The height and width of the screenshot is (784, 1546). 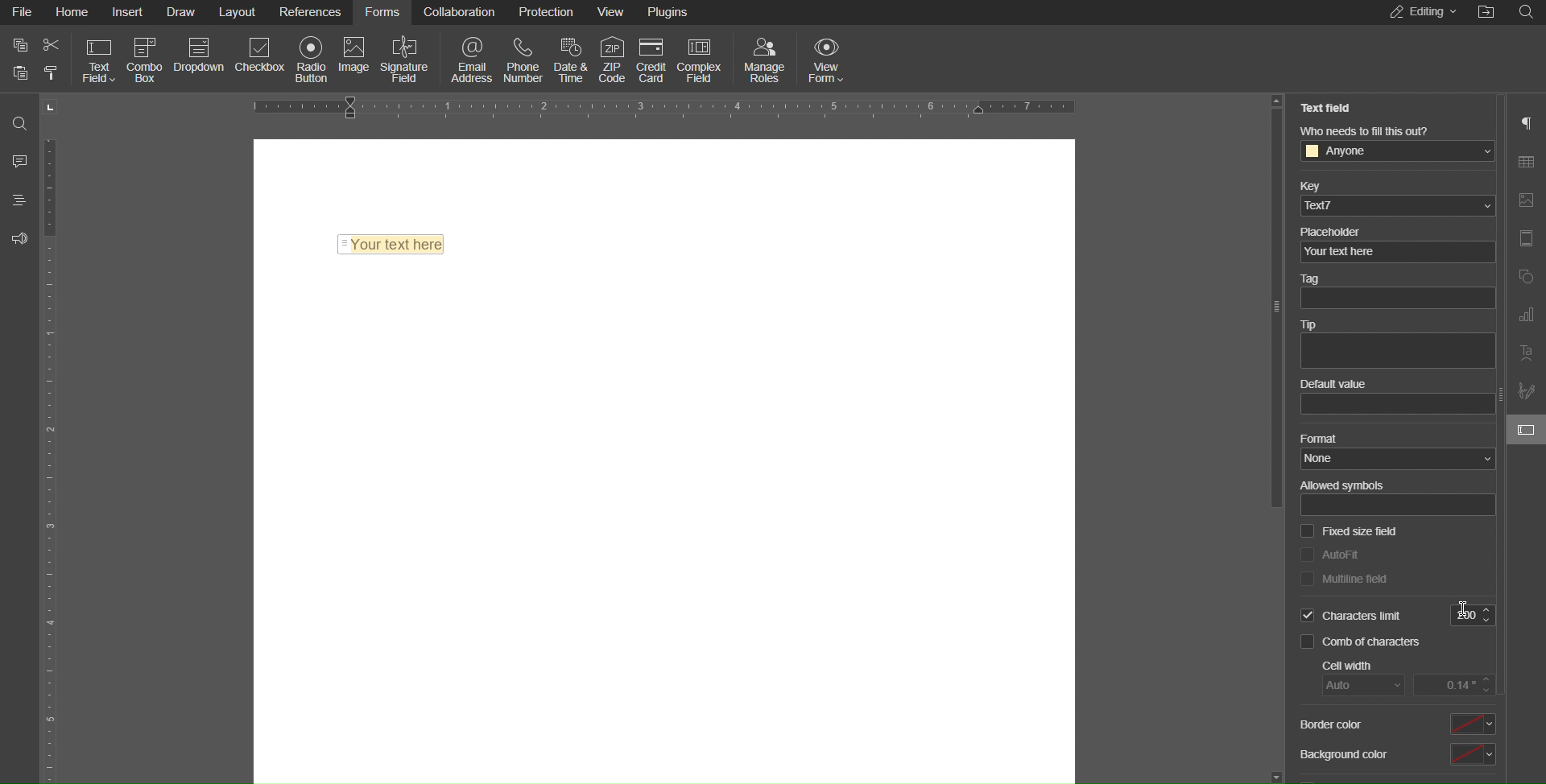 I want to click on Background color, so click(x=1395, y=757).